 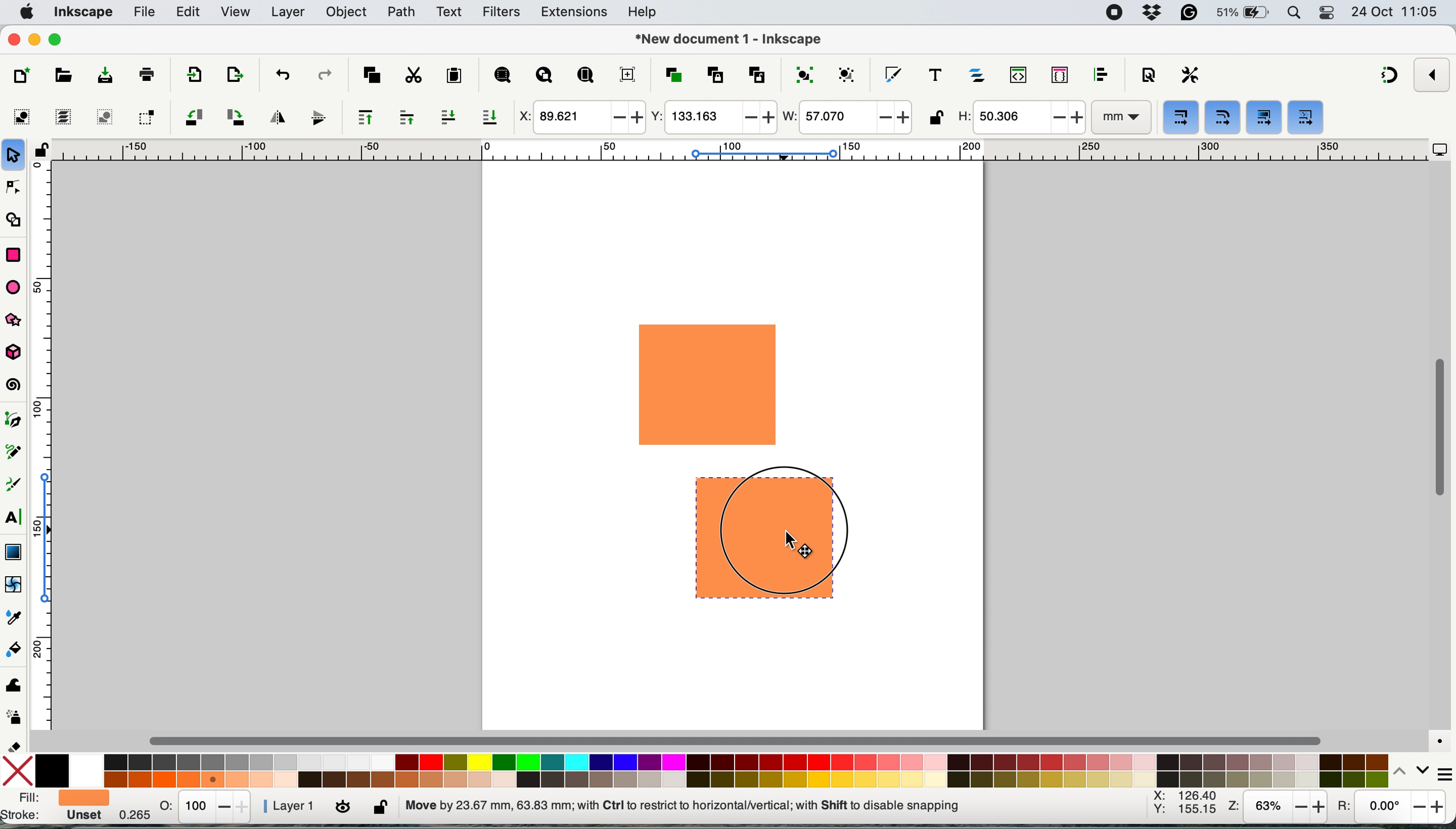 I want to click on xml editor, so click(x=1016, y=75).